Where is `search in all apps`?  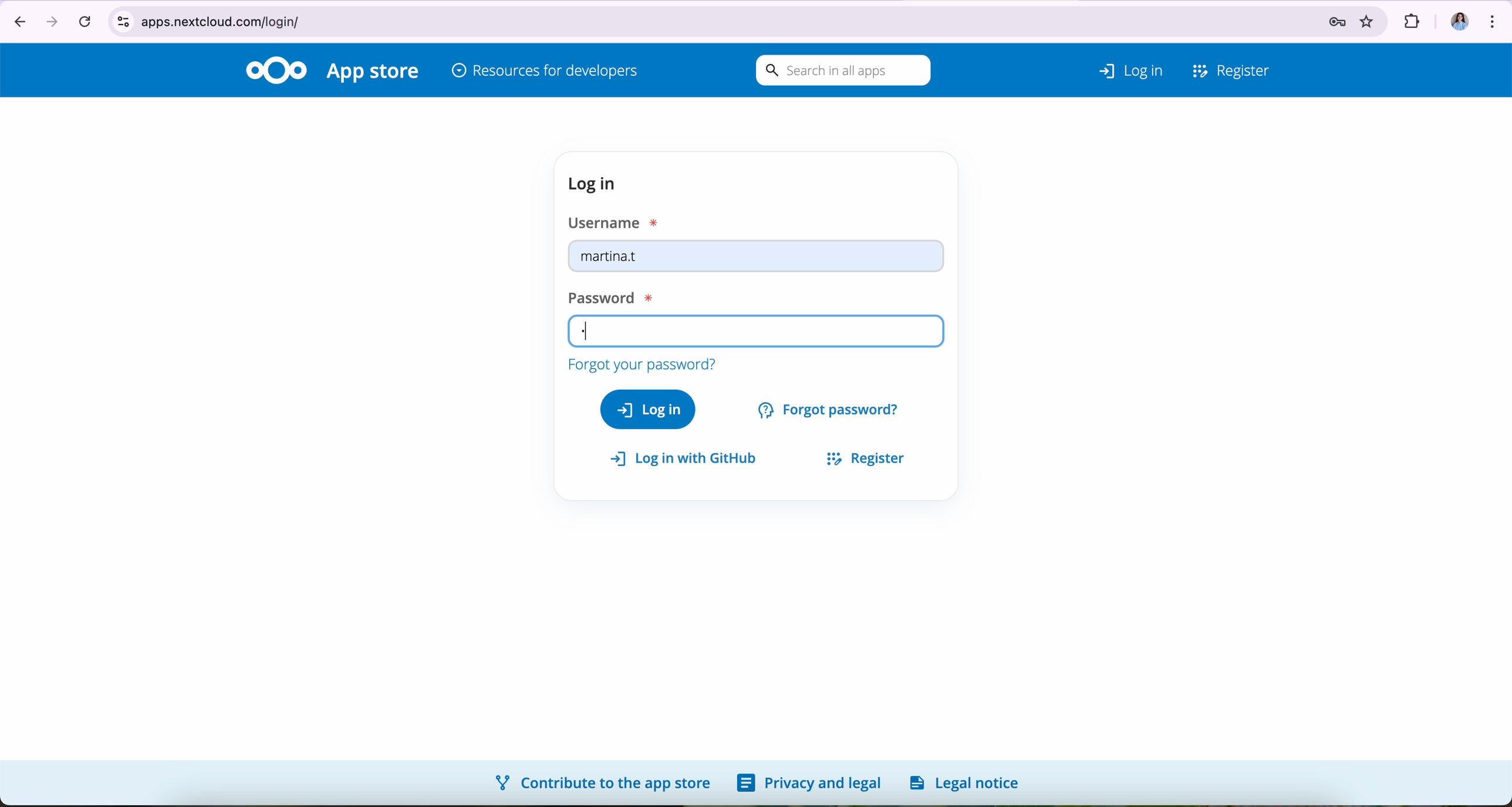
search in all apps is located at coordinates (840, 71).